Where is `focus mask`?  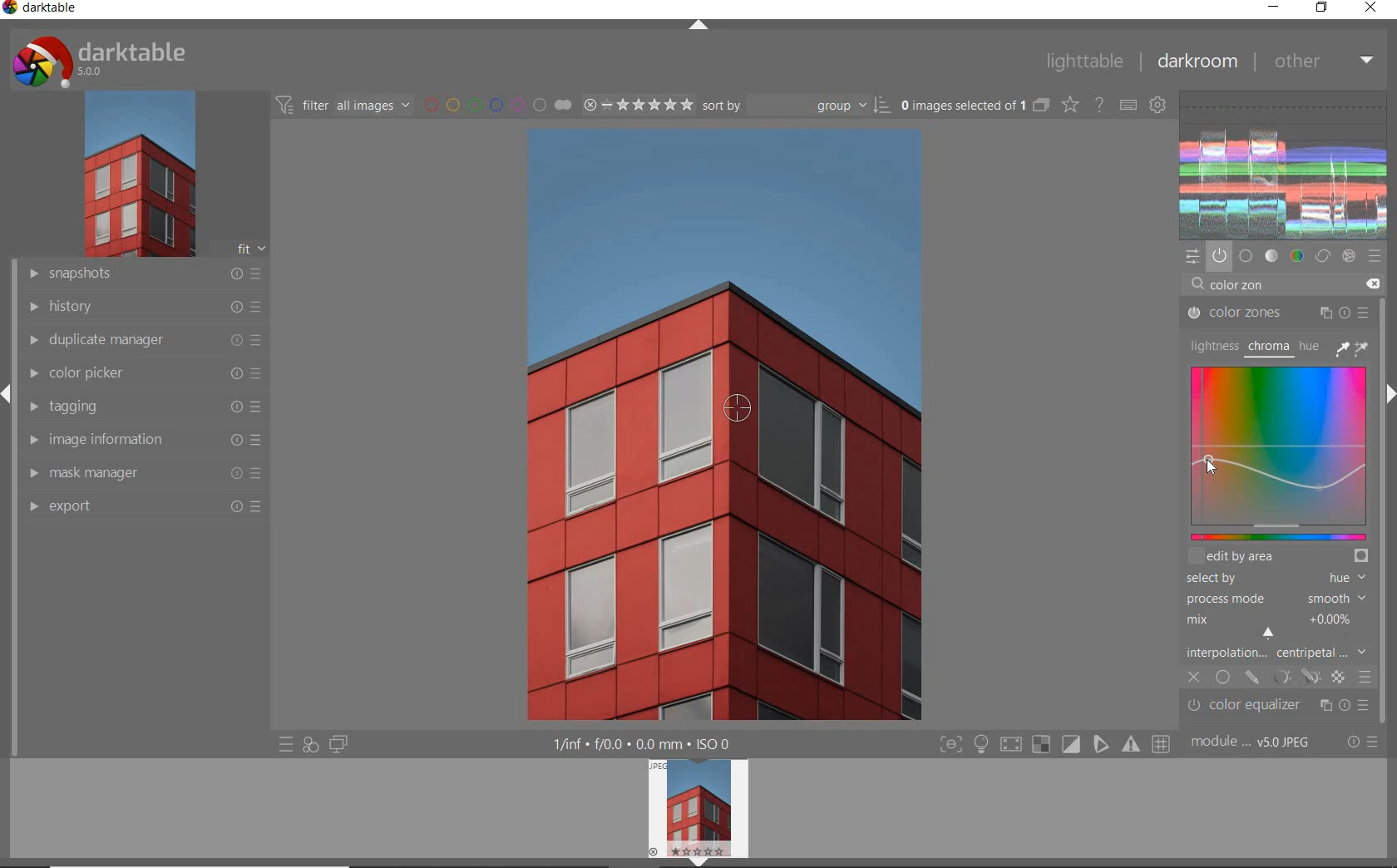 focus mask is located at coordinates (1128, 745).